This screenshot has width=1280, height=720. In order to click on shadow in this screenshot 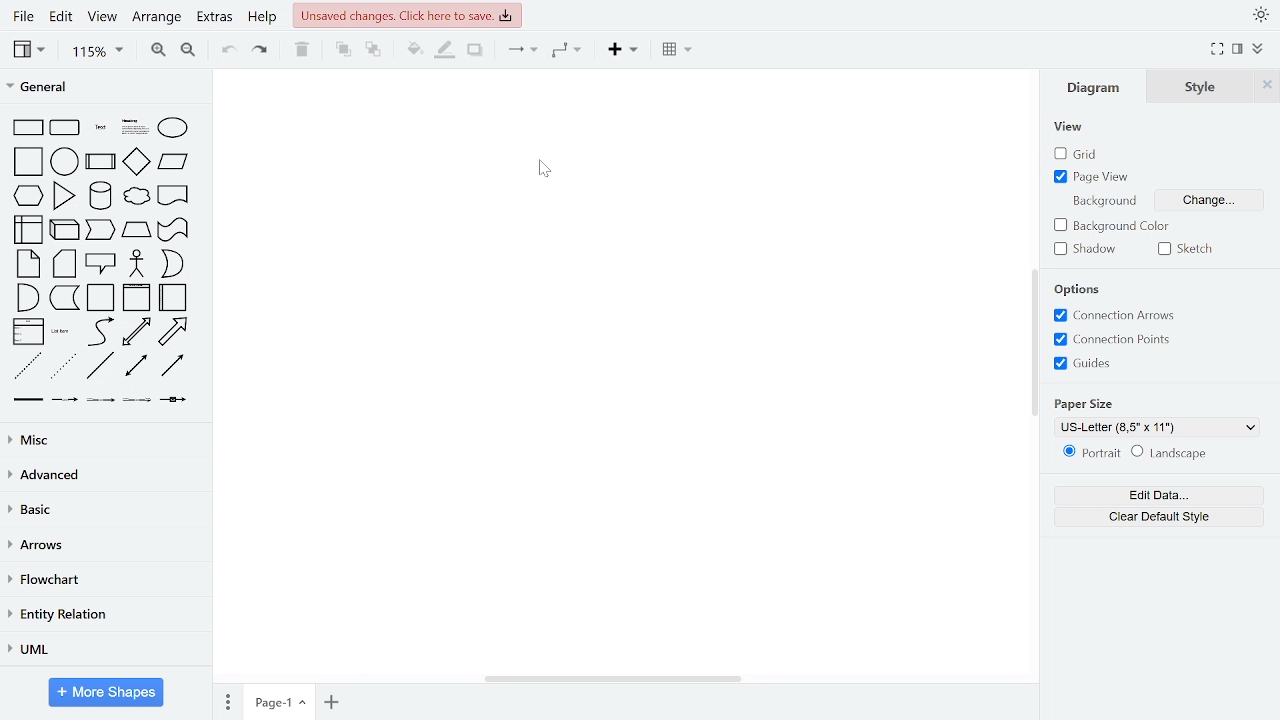, I will do `click(475, 50)`.